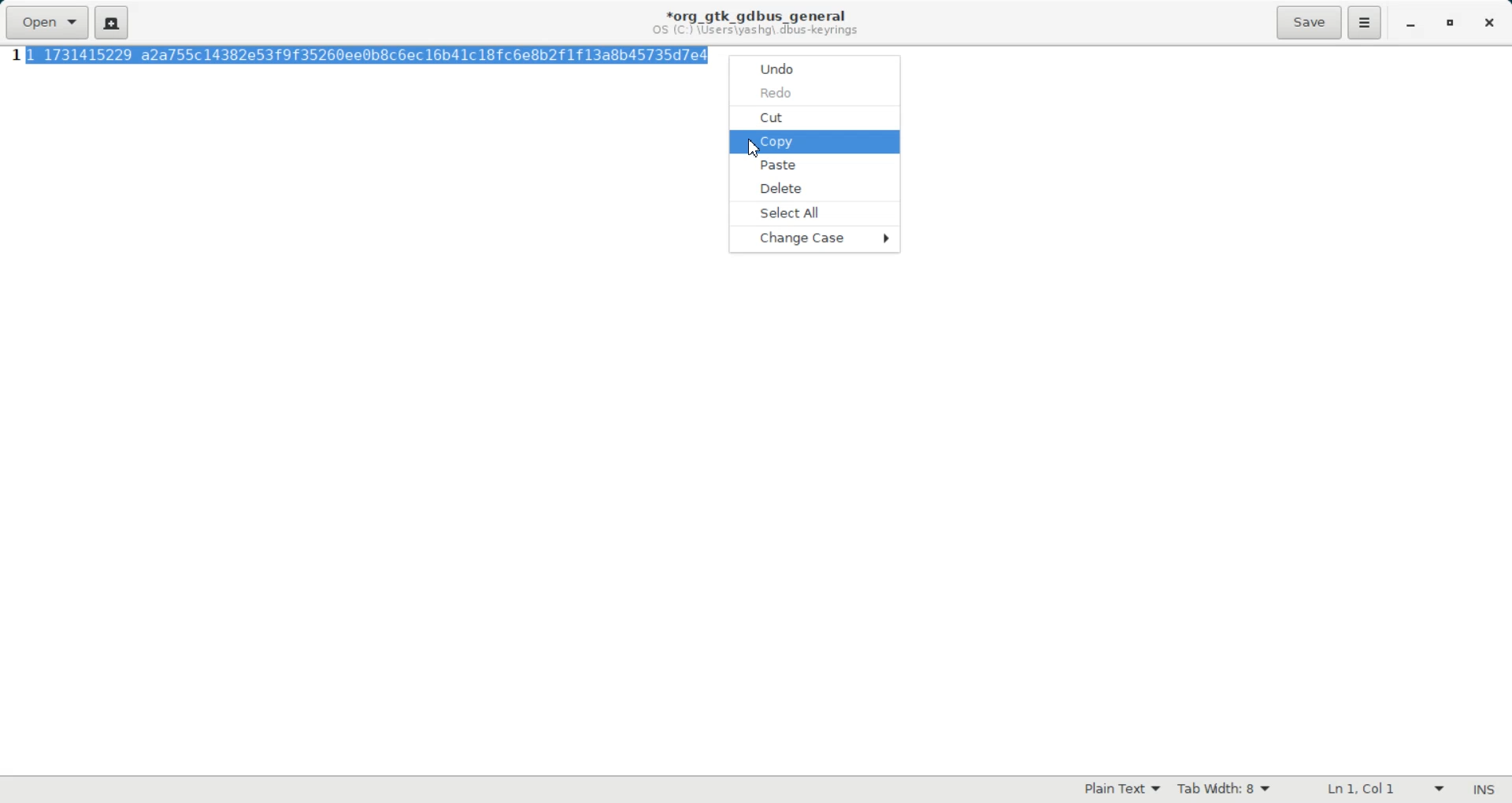  I want to click on Text Wrapping, so click(1368, 790).